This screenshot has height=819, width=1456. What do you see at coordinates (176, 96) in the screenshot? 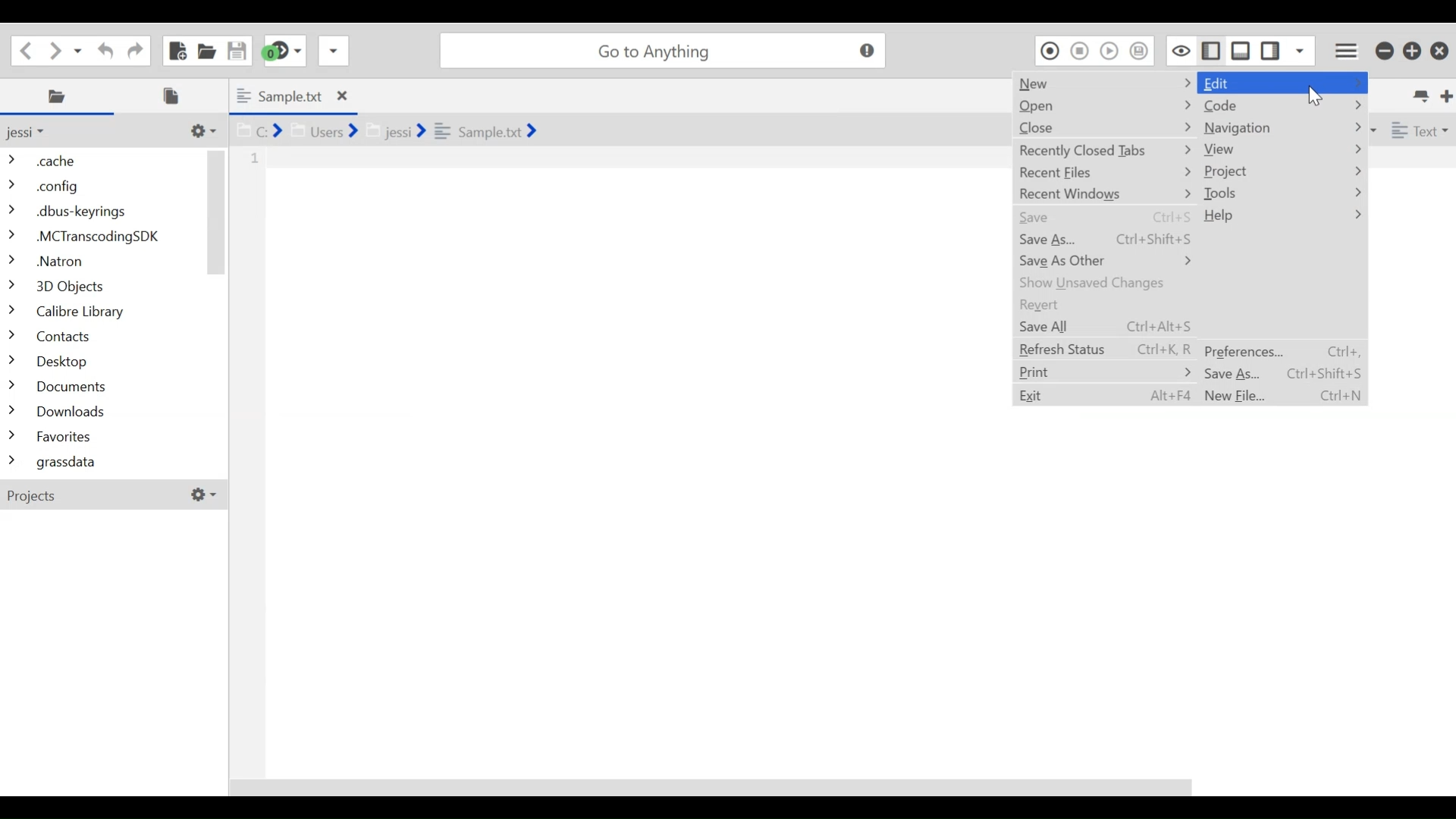
I see `Open Files` at bounding box center [176, 96].